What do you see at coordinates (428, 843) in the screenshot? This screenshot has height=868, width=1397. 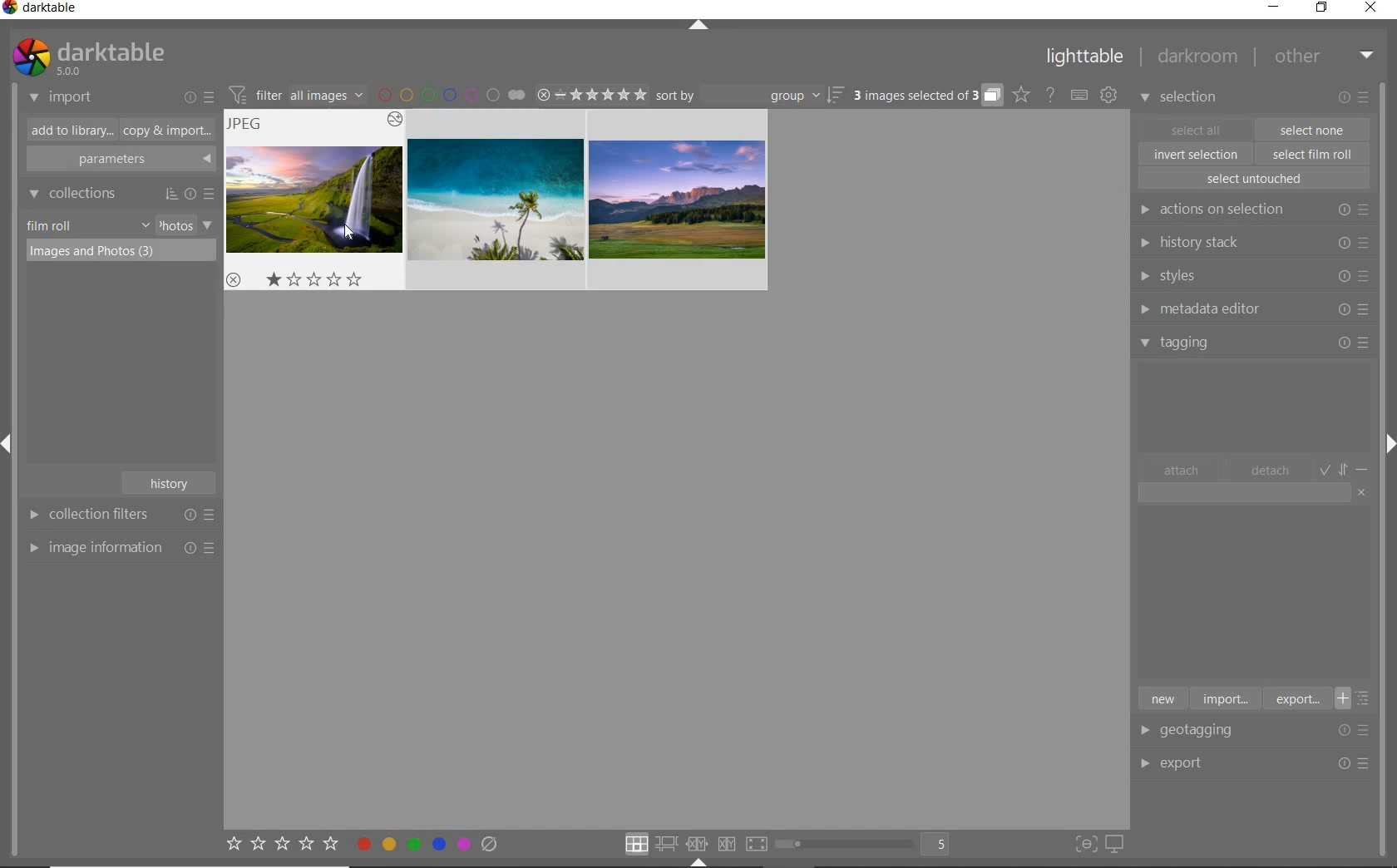 I see `toggle color label of selected images` at bounding box center [428, 843].